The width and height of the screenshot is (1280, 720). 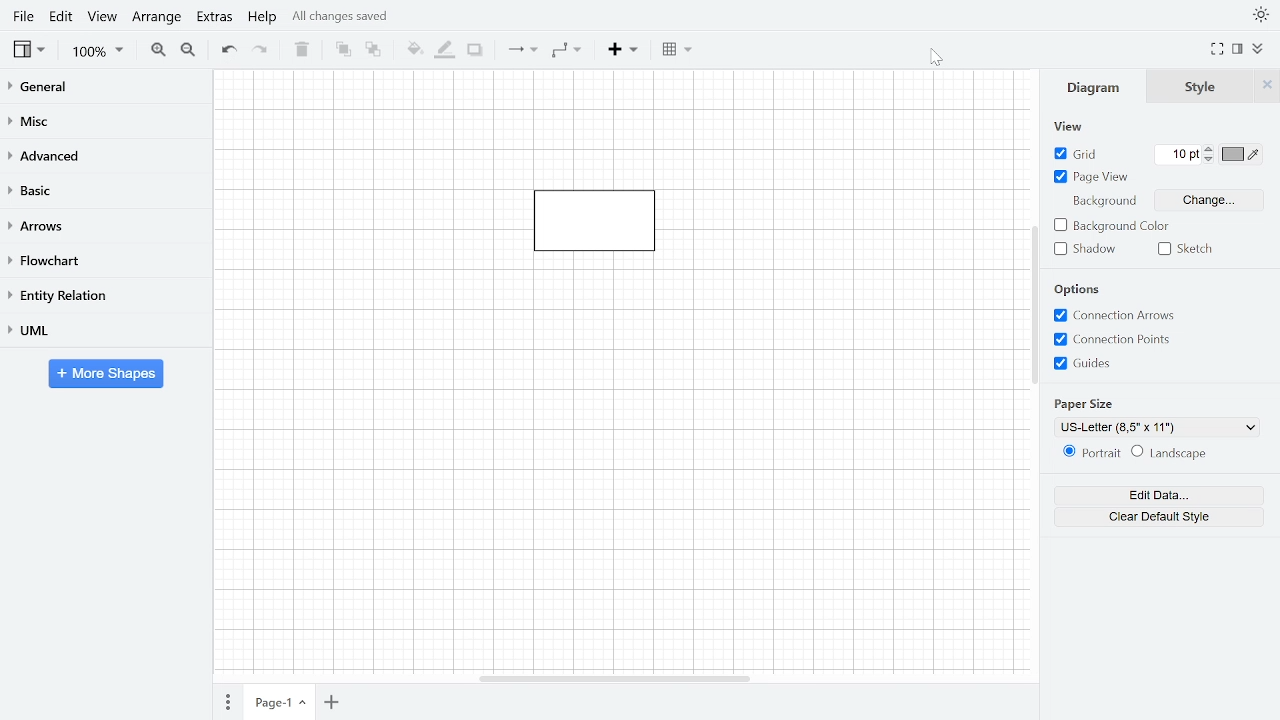 I want to click on Format, so click(x=1238, y=50).